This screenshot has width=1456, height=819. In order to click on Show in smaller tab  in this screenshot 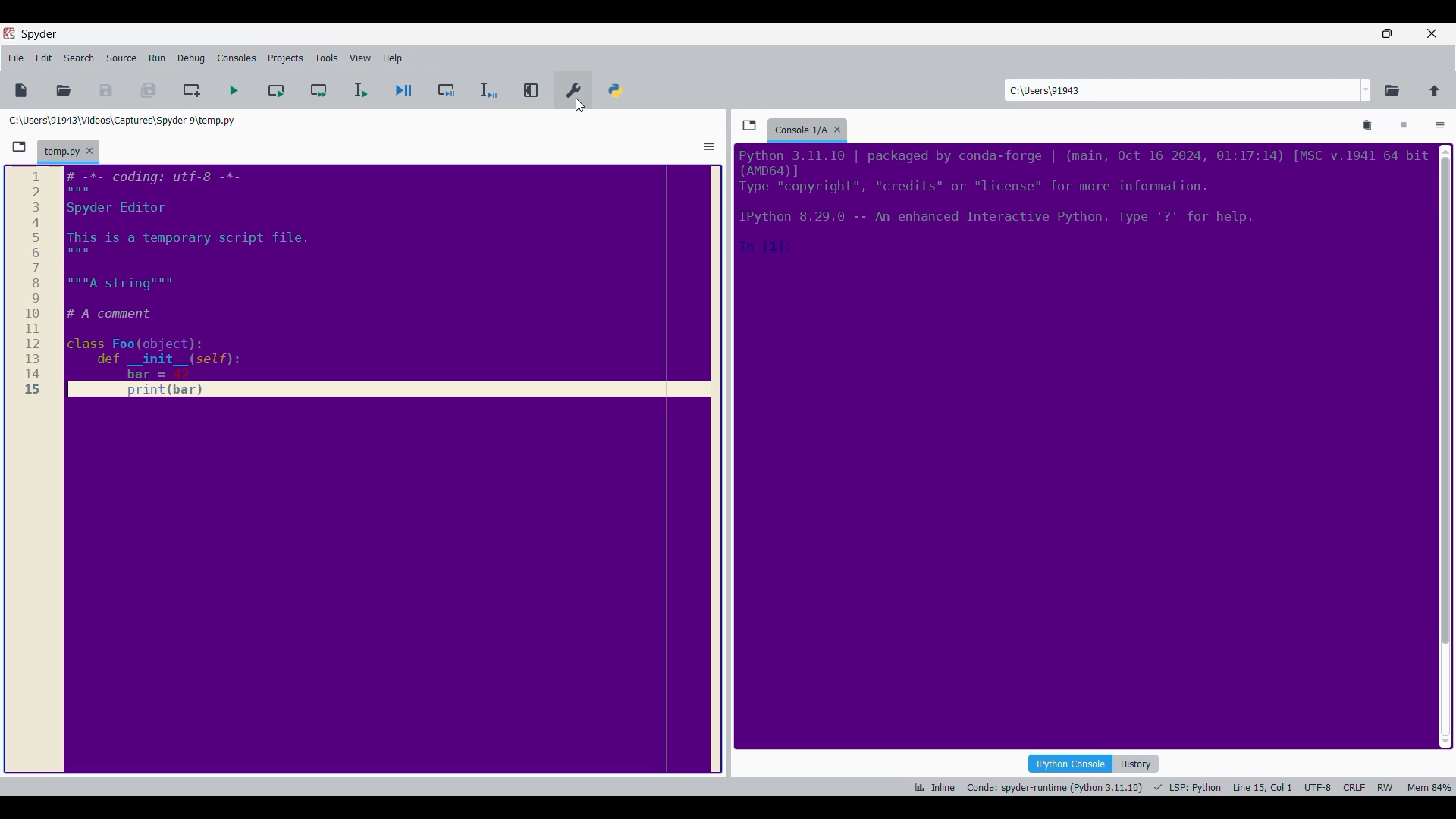, I will do `click(1387, 33)`.